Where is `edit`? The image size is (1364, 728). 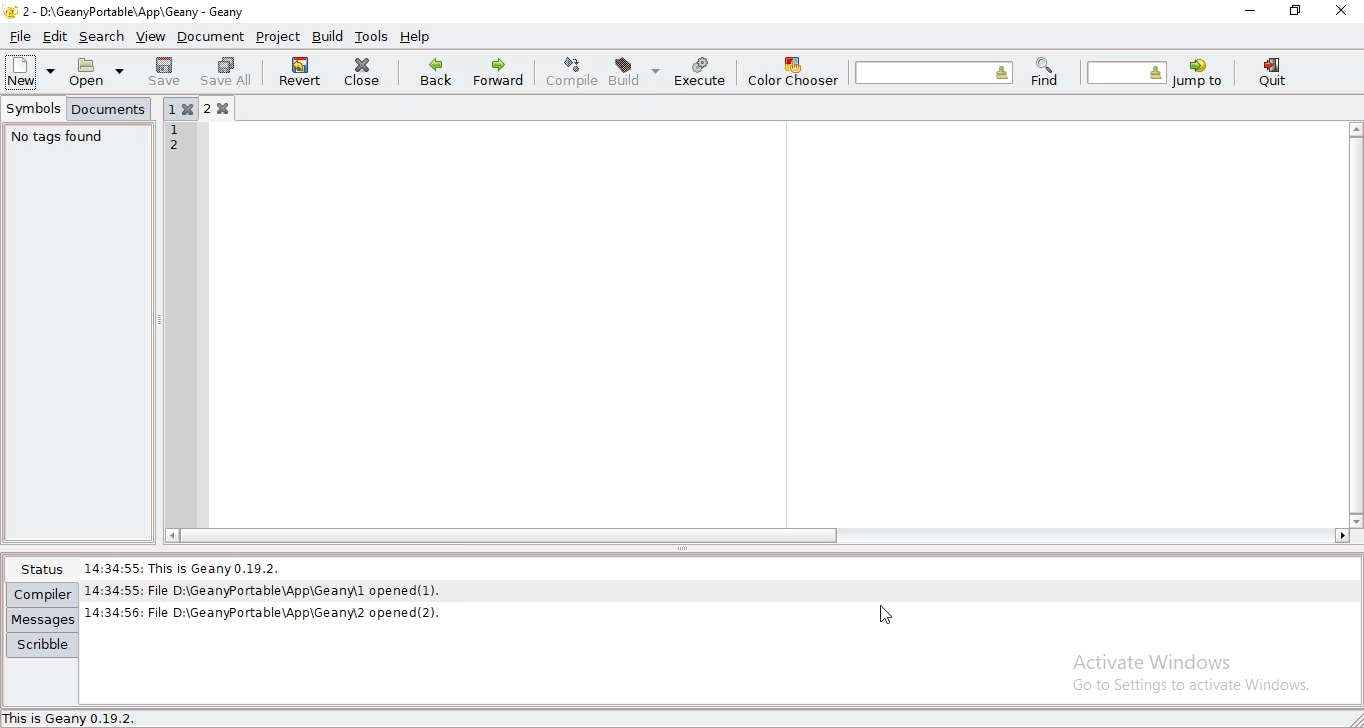
edit is located at coordinates (57, 35).